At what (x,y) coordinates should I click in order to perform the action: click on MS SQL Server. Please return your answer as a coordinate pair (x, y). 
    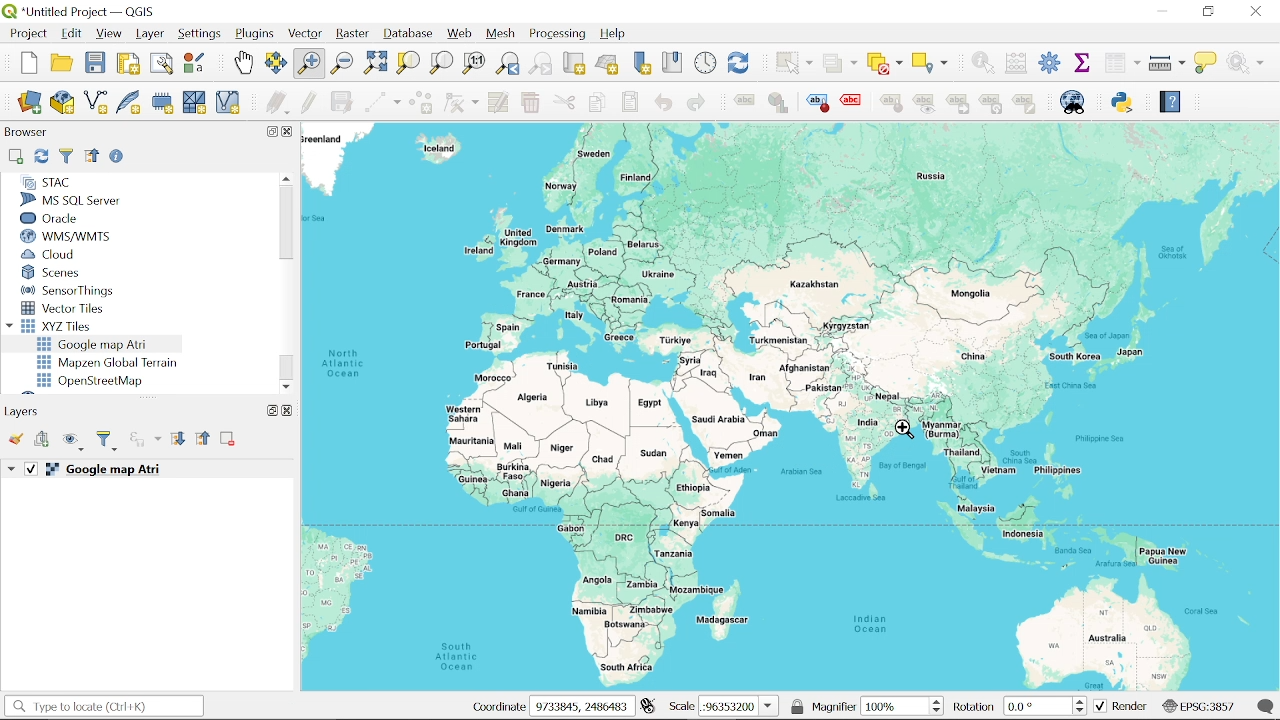
    Looking at the image, I should click on (78, 200).